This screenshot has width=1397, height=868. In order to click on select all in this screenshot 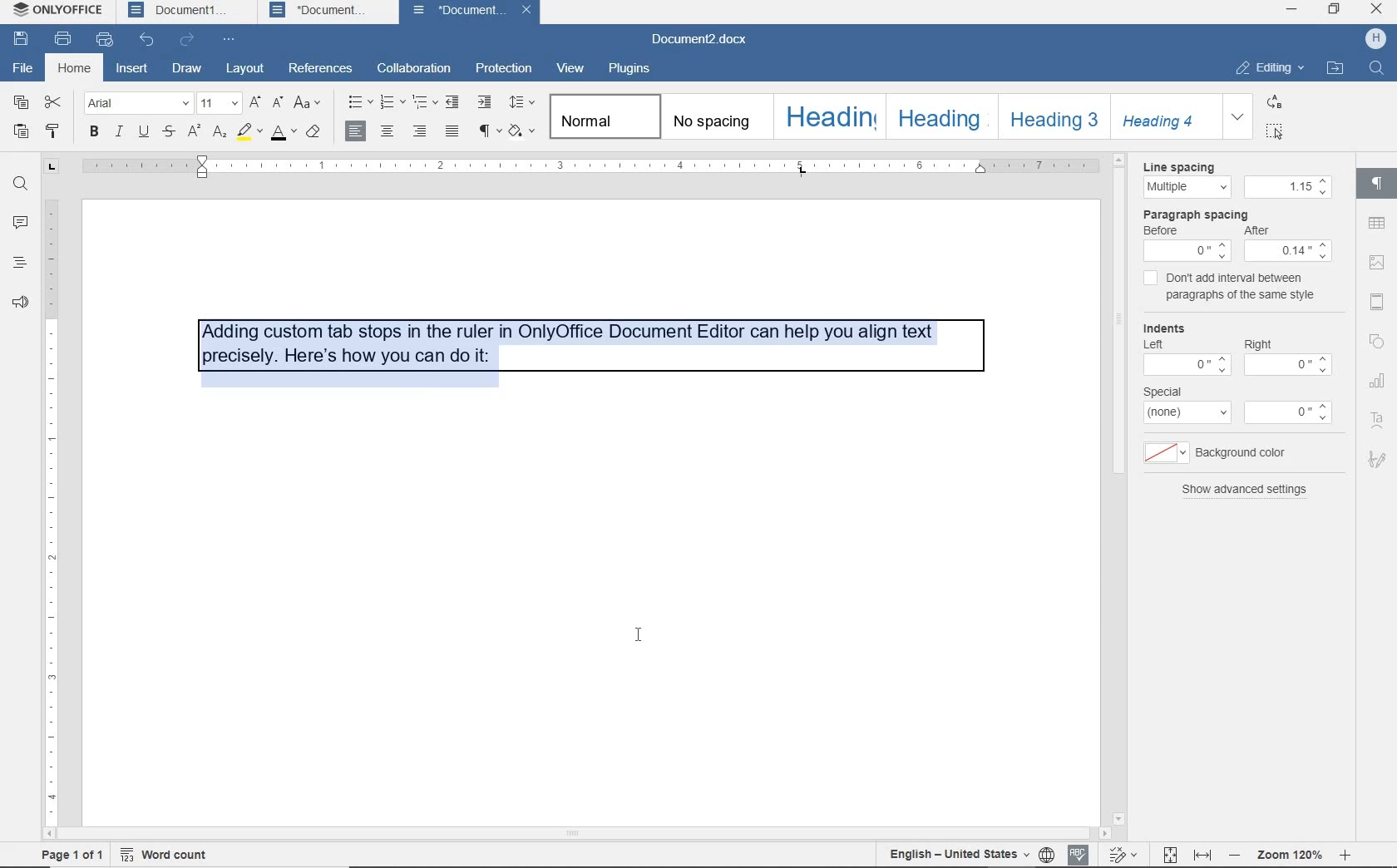, I will do `click(1276, 131)`.